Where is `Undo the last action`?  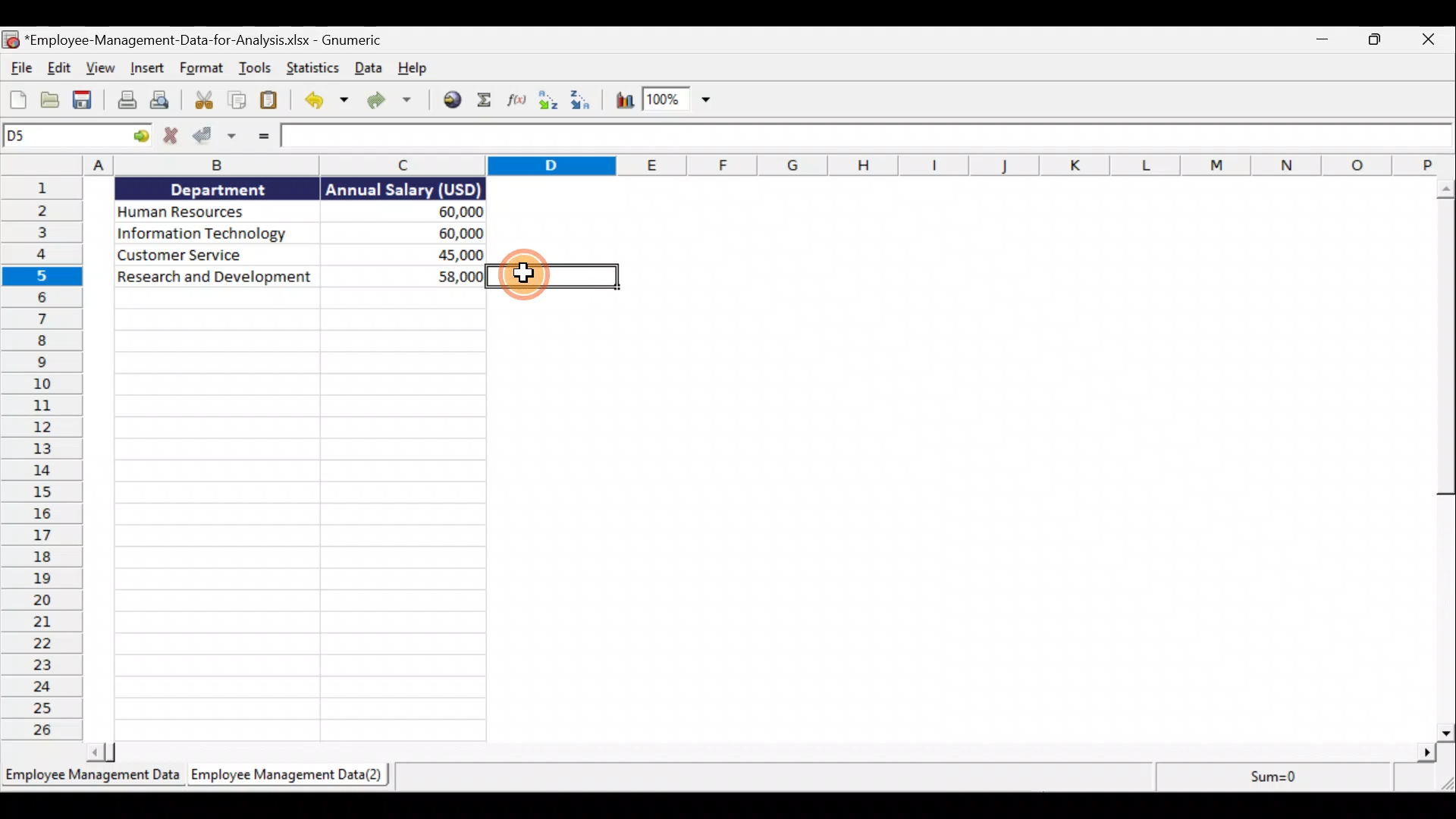 Undo the last action is located at coordinates (324, 100).